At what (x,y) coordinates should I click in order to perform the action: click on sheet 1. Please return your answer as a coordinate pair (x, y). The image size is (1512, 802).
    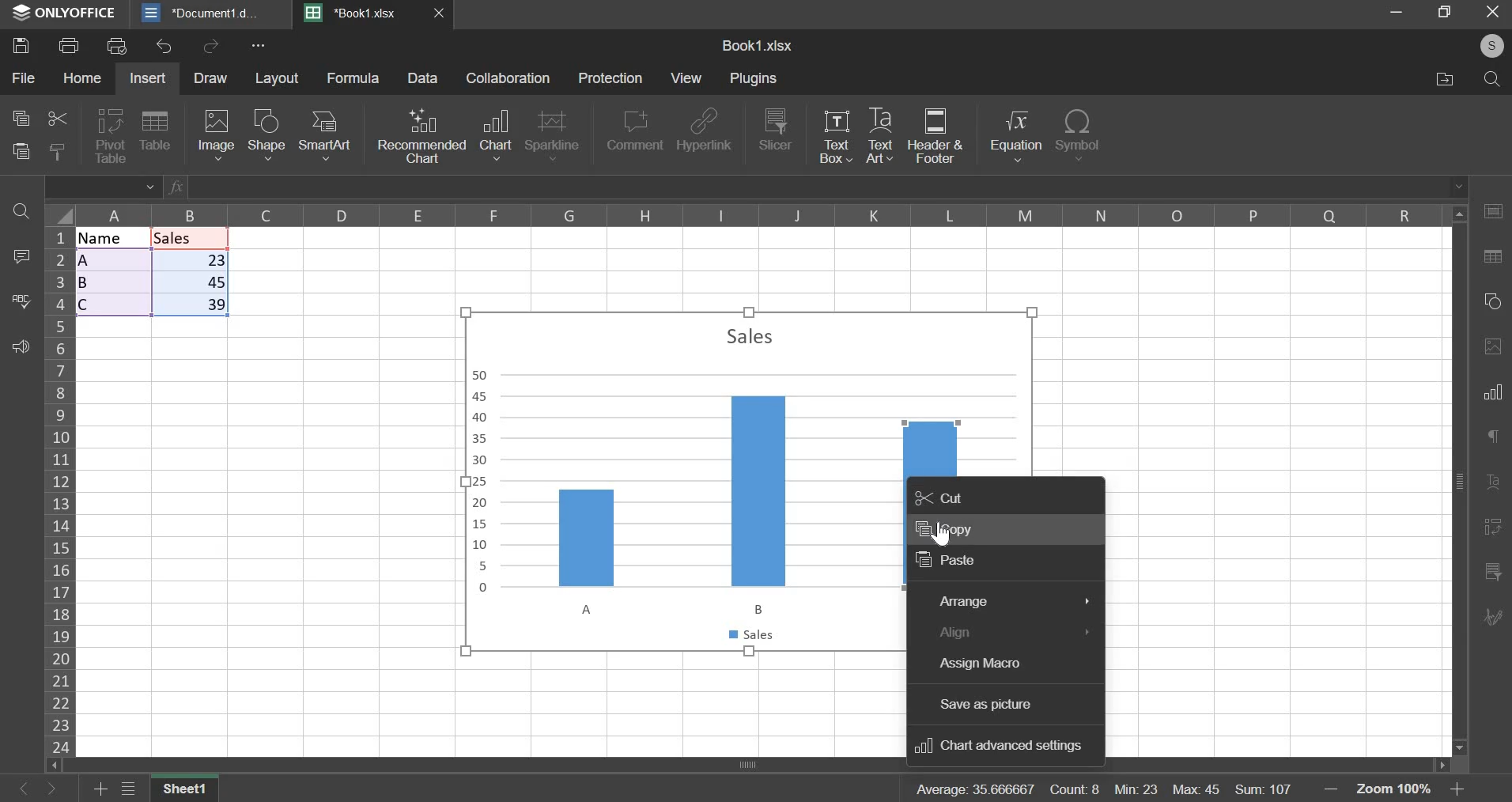
    Looking at the image, I should click on (185, 790).